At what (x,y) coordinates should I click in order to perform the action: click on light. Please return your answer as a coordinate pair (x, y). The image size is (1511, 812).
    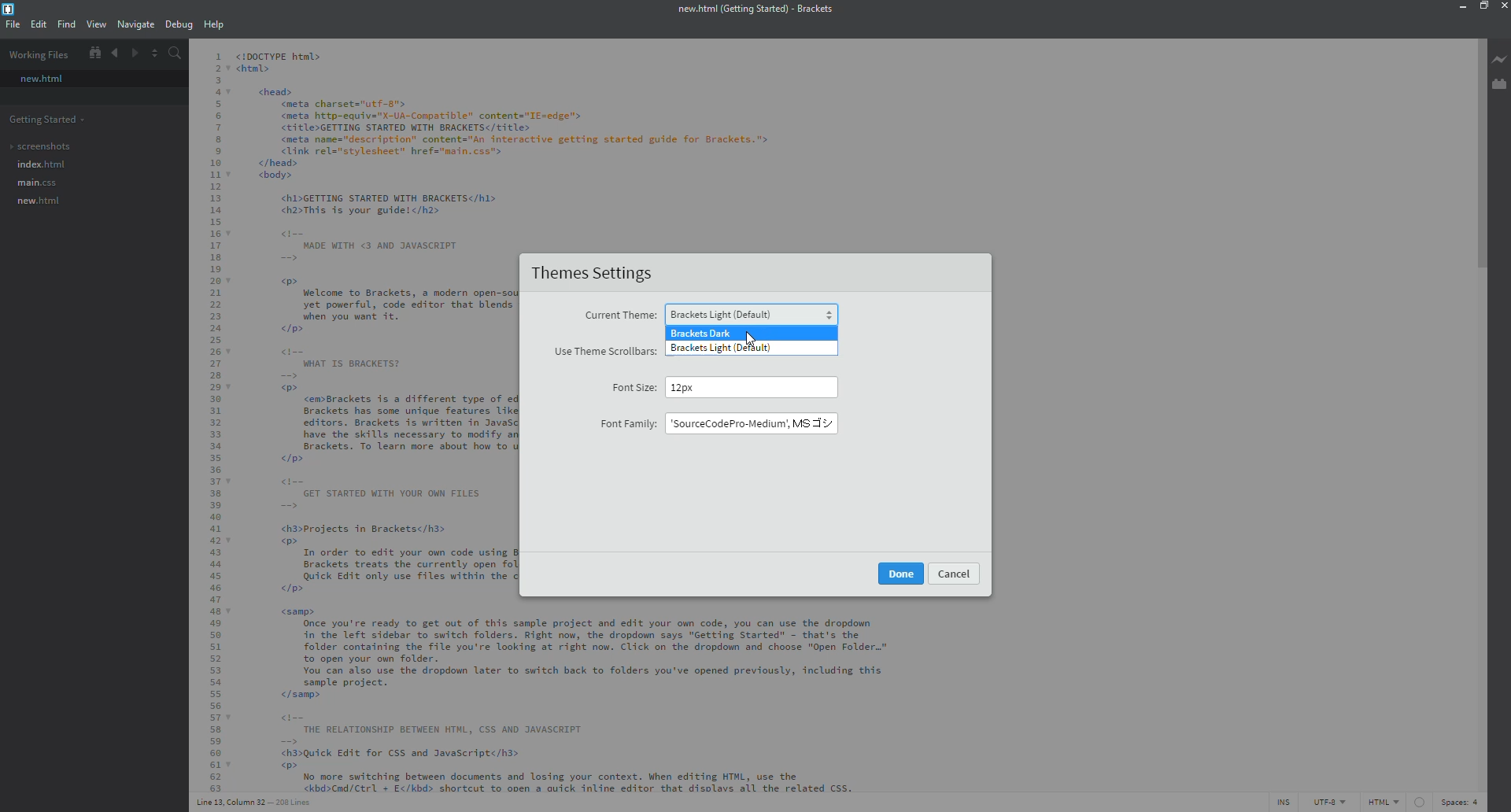
    Looking at the image, I should click on (752, 315).